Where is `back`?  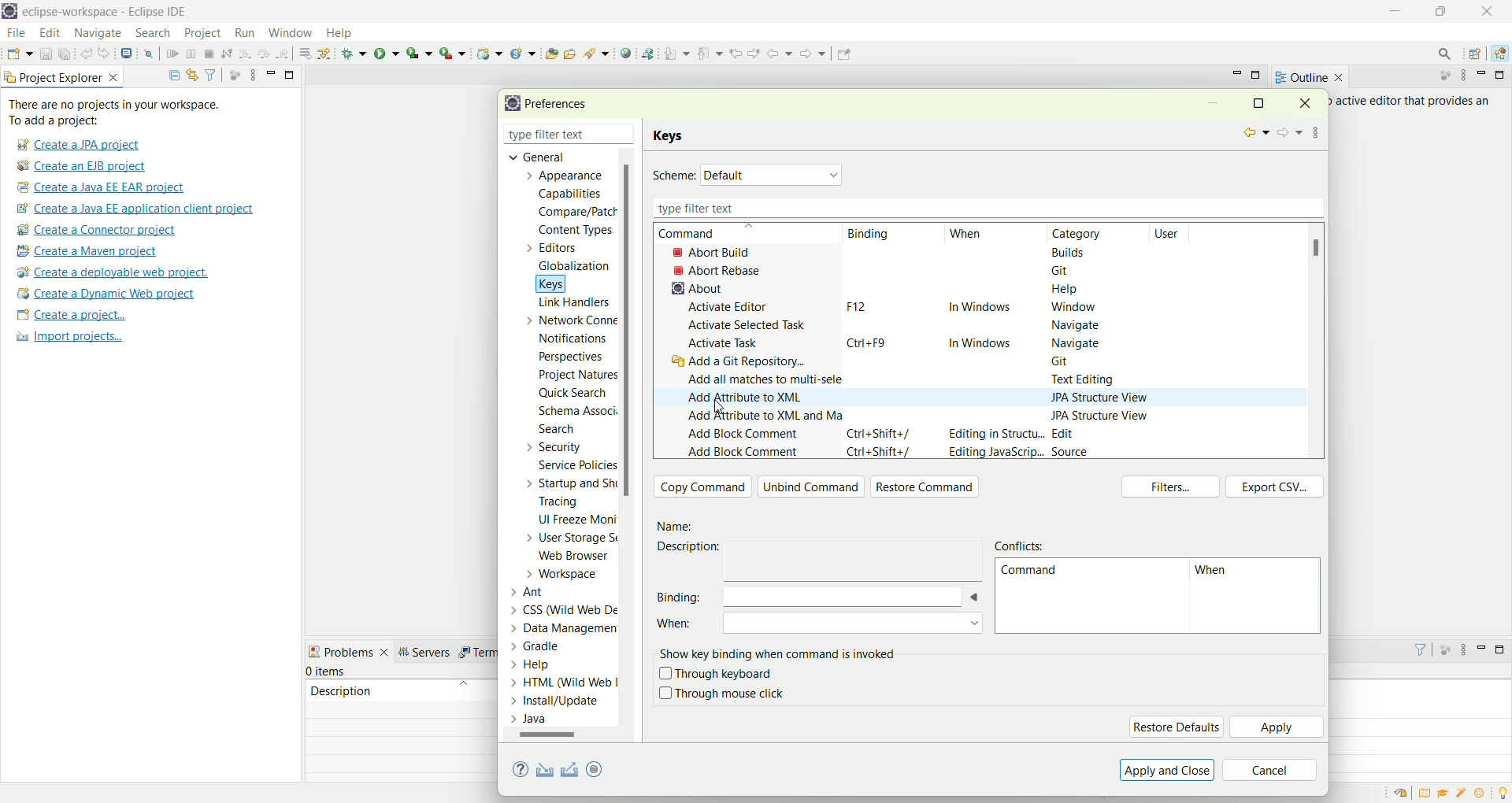
back is located at coordinates (1254, 133).